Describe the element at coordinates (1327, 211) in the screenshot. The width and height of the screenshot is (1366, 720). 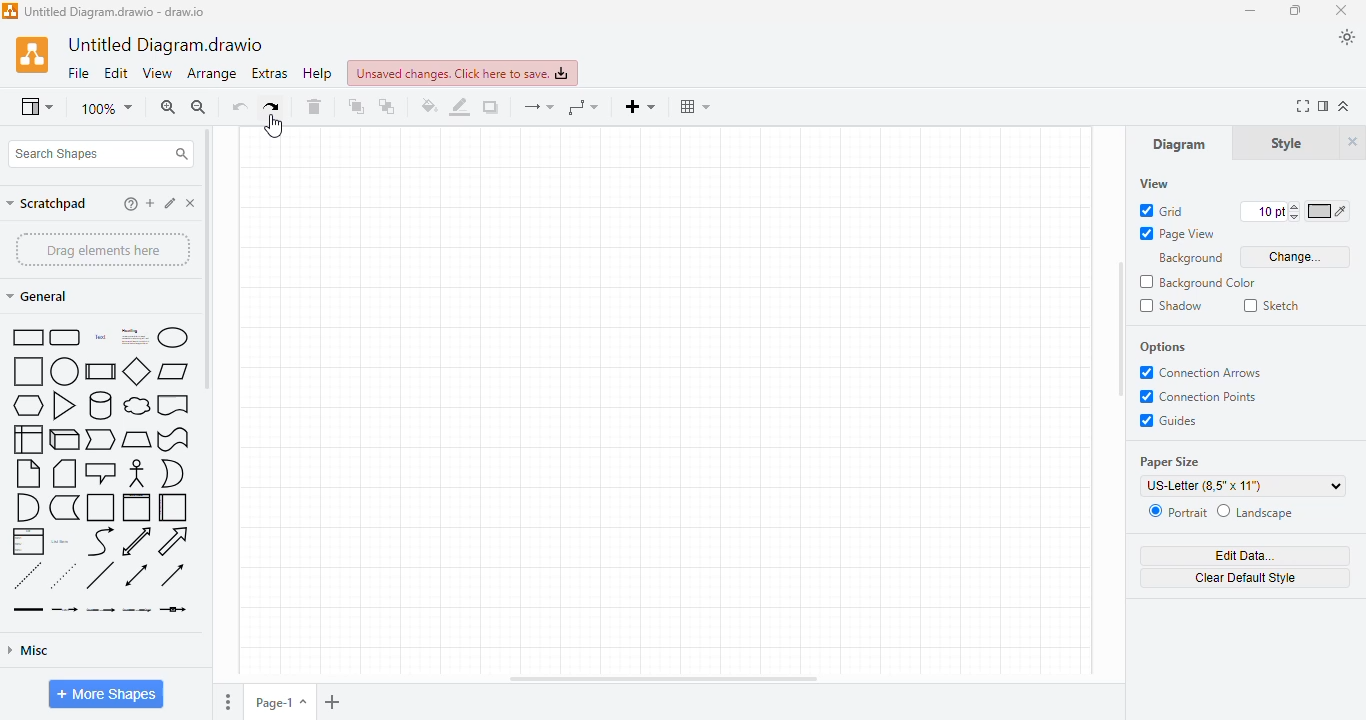
I see `color` at that location.